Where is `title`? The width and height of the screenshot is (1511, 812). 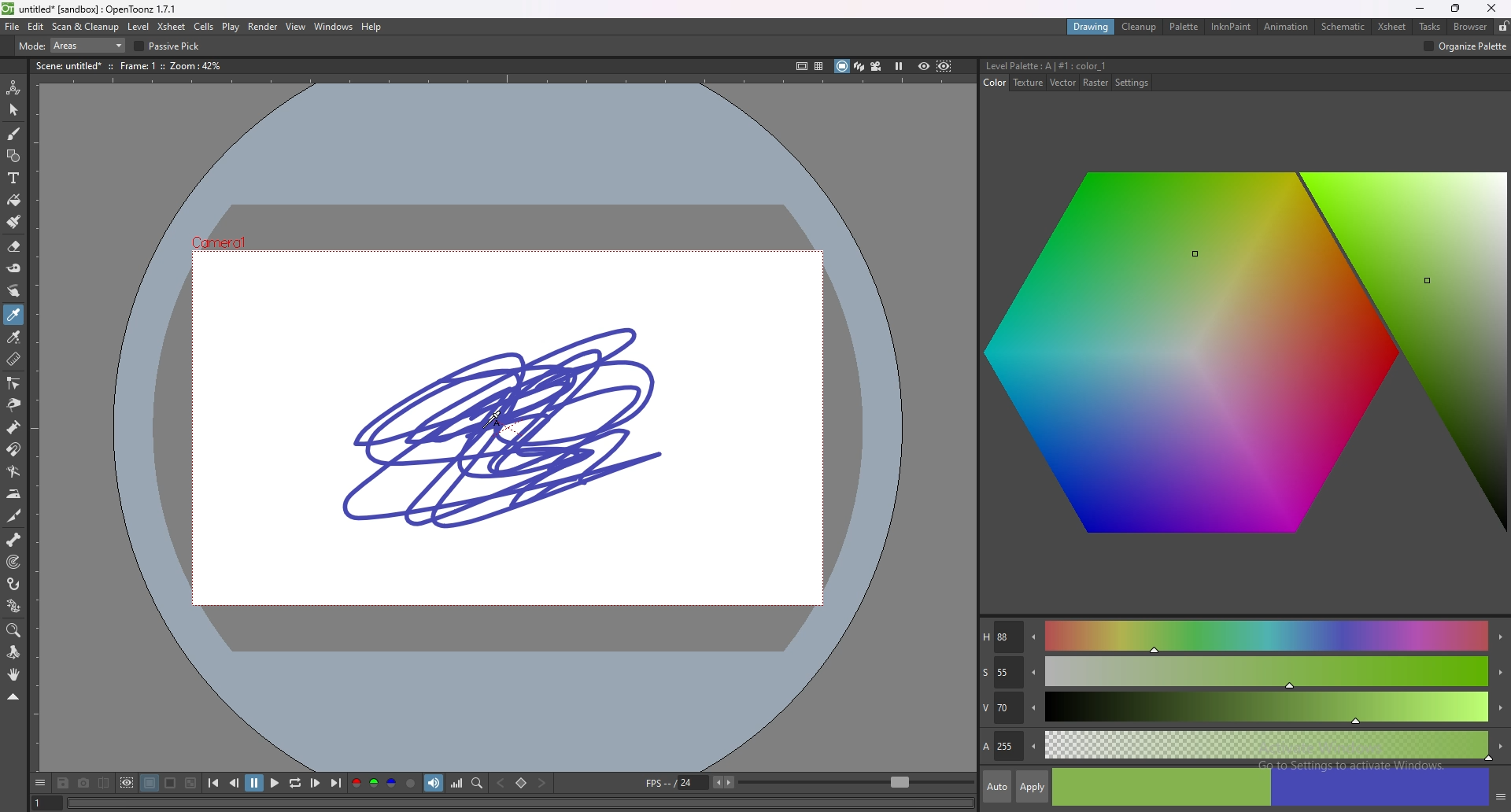 title is located at coordinates (1049, 65).